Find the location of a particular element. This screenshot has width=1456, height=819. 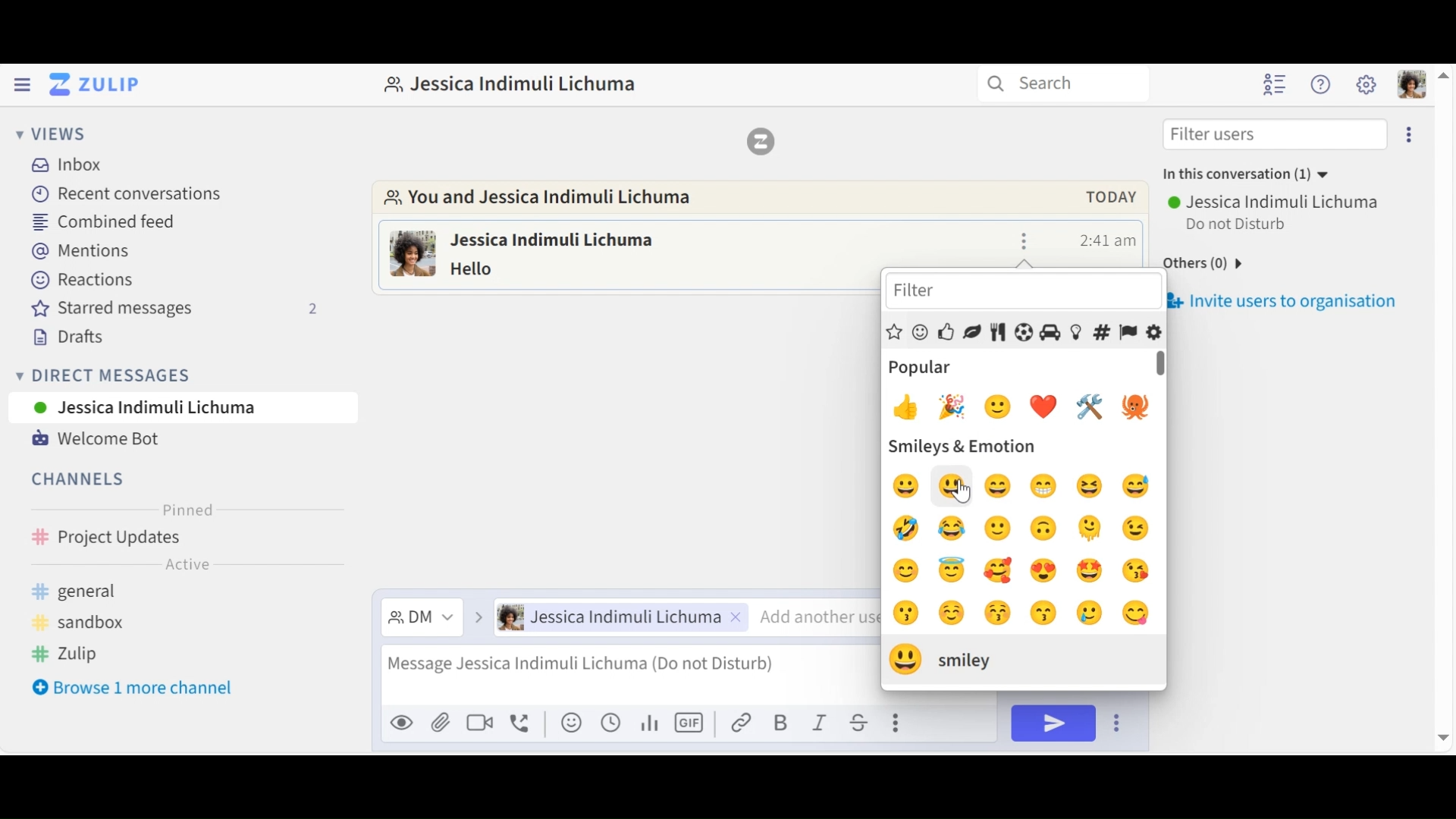

Time is located at coordinates (1109, 240).